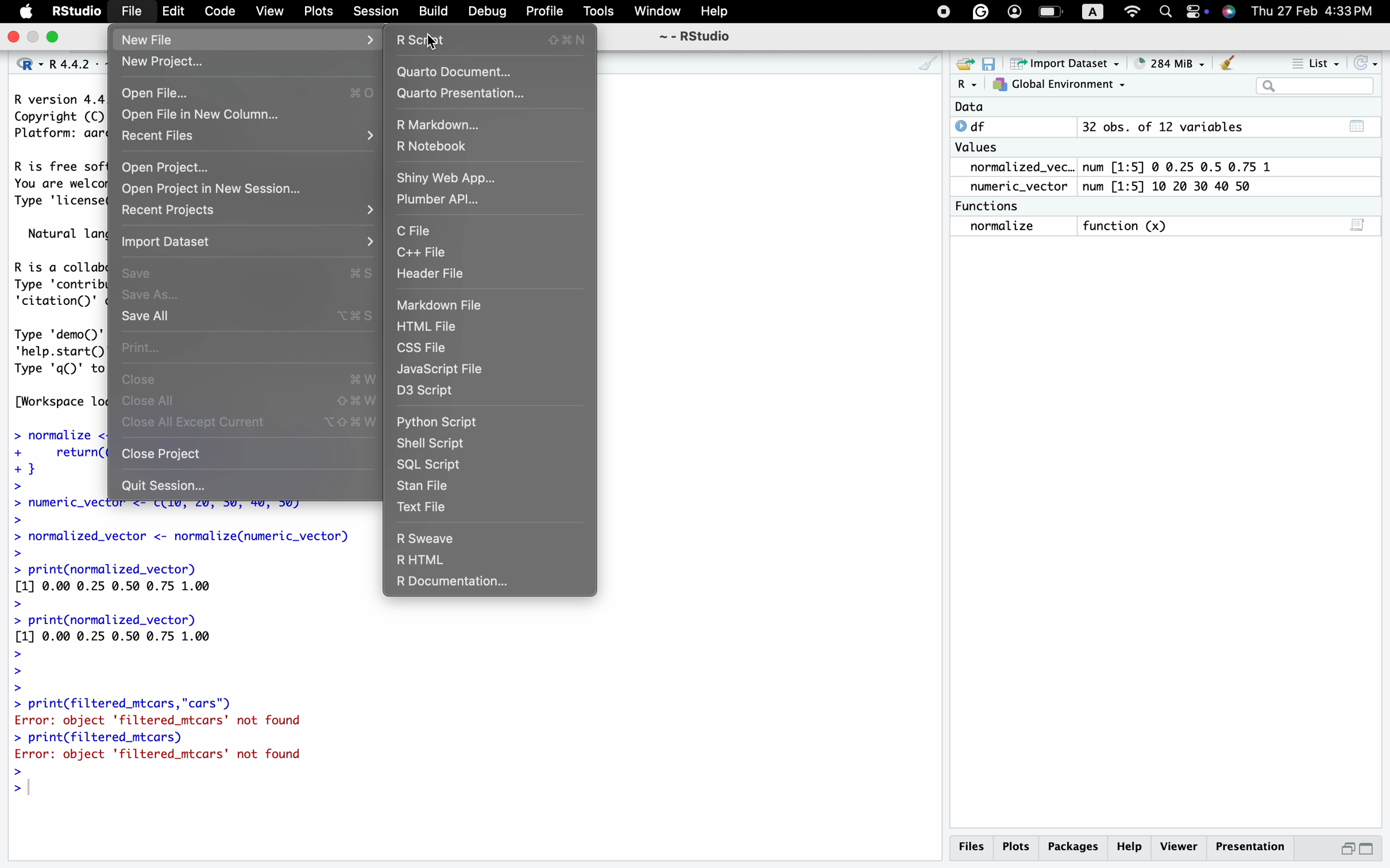  Describe the element at coordinates (1090, 14) in the screenshot. I see `letter` at that location.